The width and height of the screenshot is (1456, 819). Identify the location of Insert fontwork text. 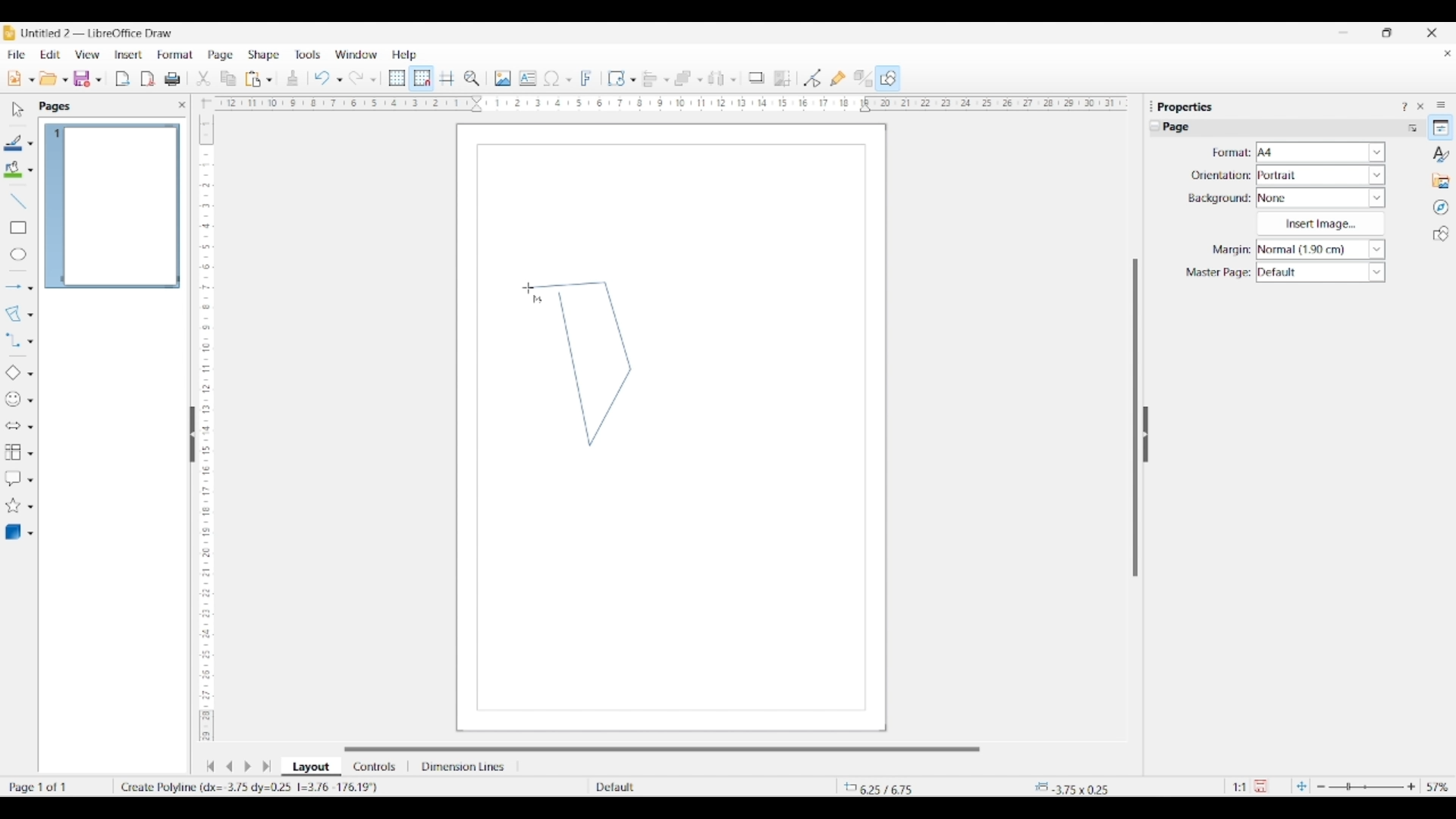
(587, 78).